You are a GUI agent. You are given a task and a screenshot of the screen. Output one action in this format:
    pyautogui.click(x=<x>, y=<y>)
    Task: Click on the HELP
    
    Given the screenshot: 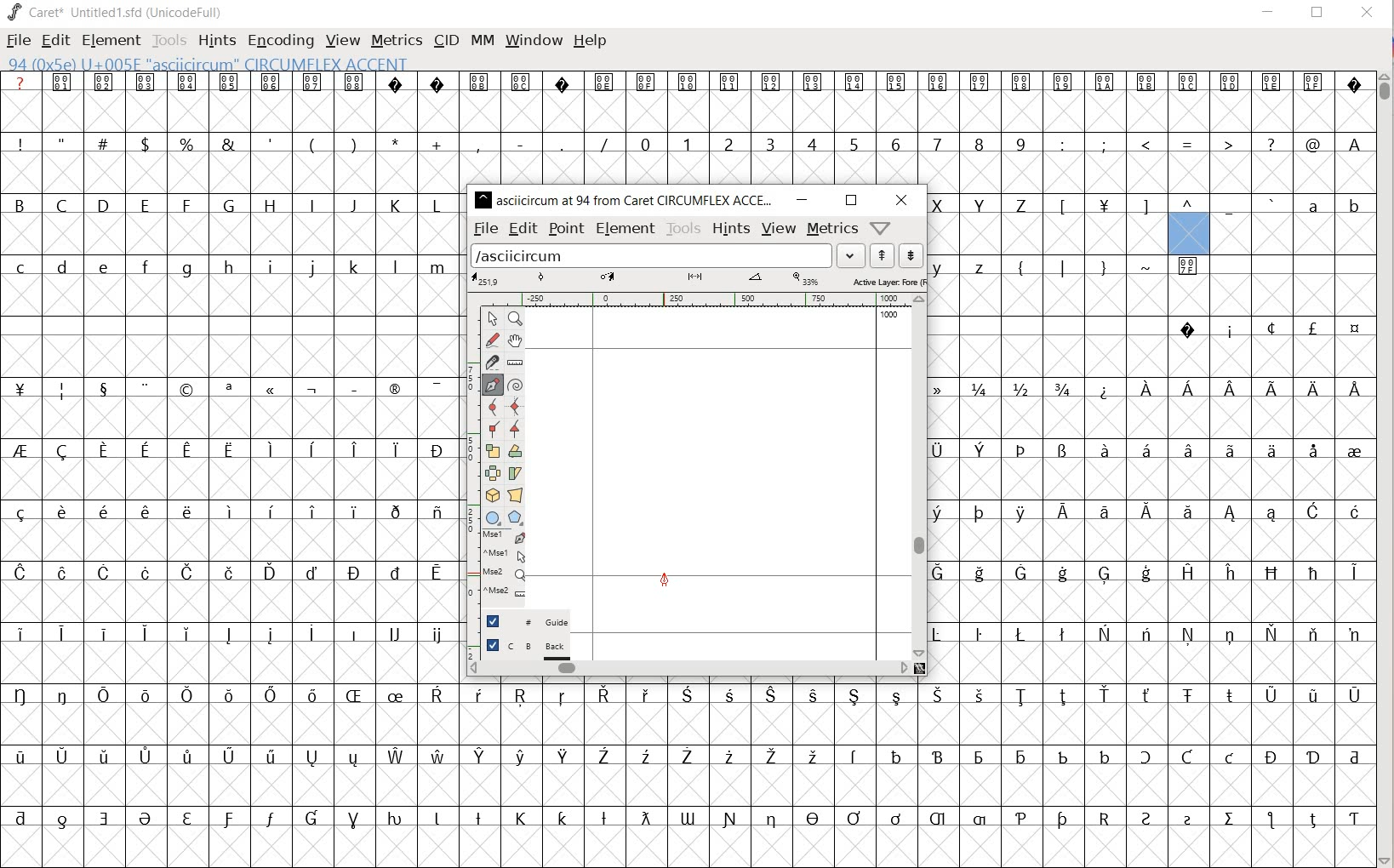 What is the action you would take?
    pyautogui.click(x=591, y=40)
    